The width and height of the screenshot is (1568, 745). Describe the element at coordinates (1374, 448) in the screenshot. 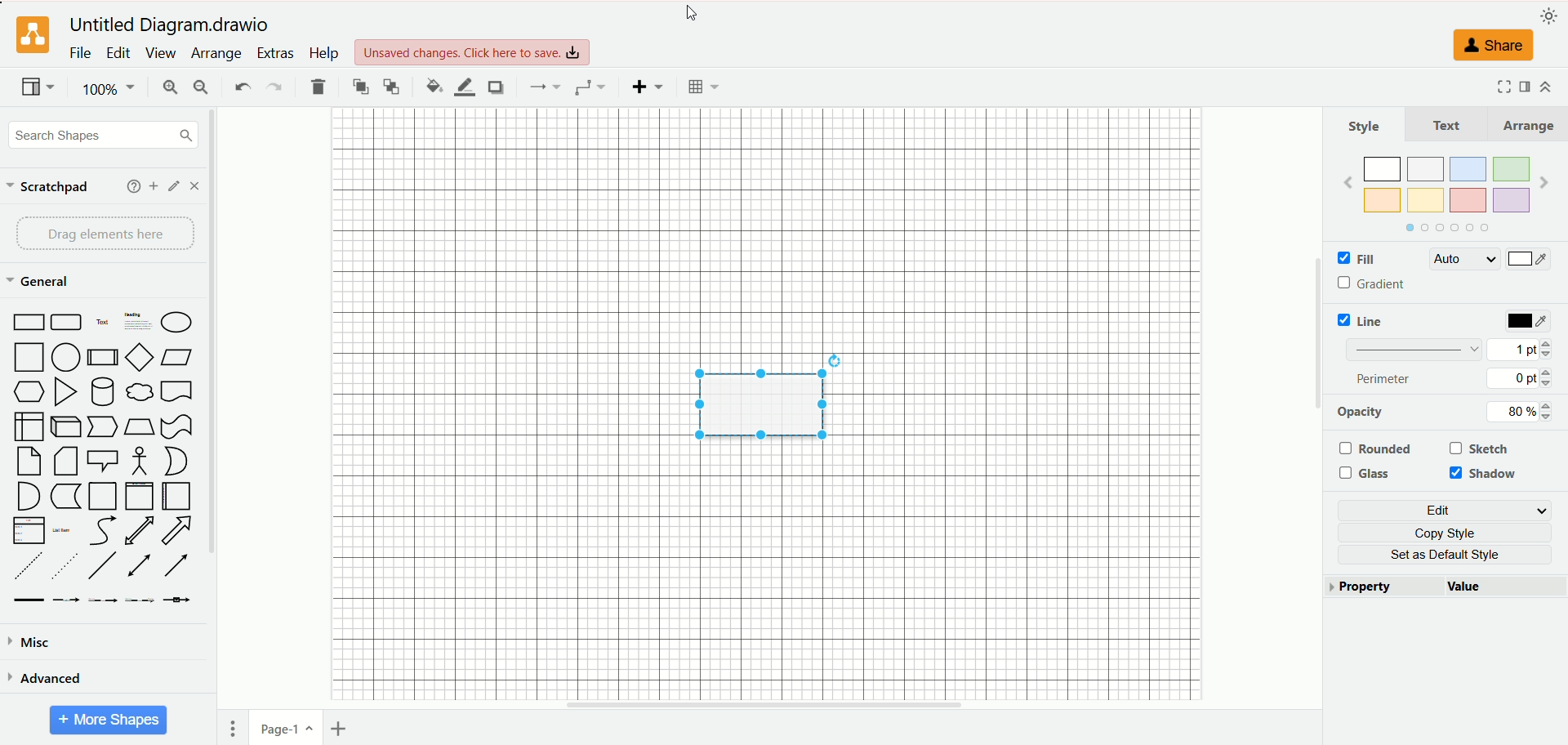

I see `unselected` at that location.